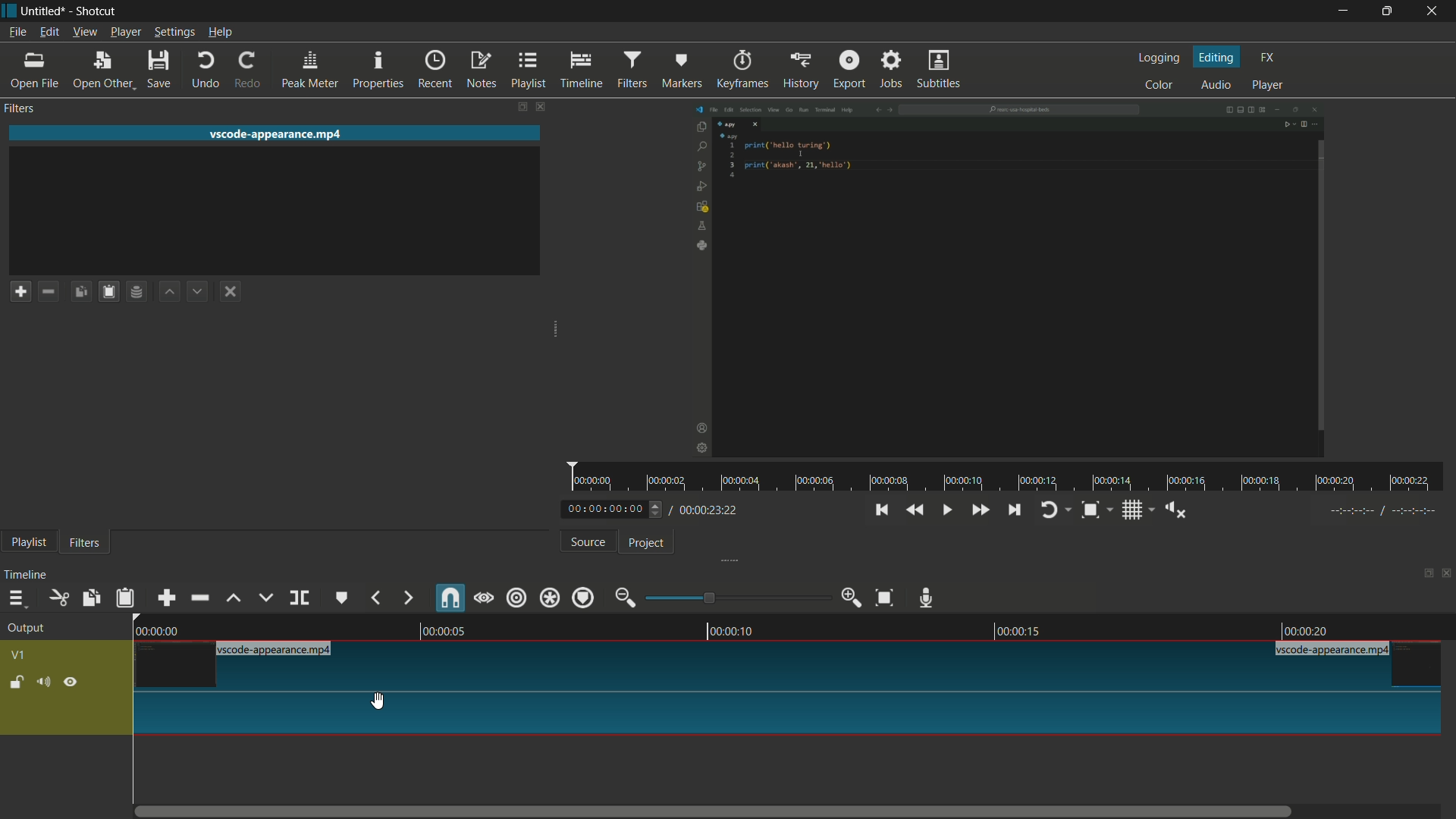 The image size is (1456, 819). Describe the element at coordinates (71, 682) in the screenshot. I see `hide` at that location.